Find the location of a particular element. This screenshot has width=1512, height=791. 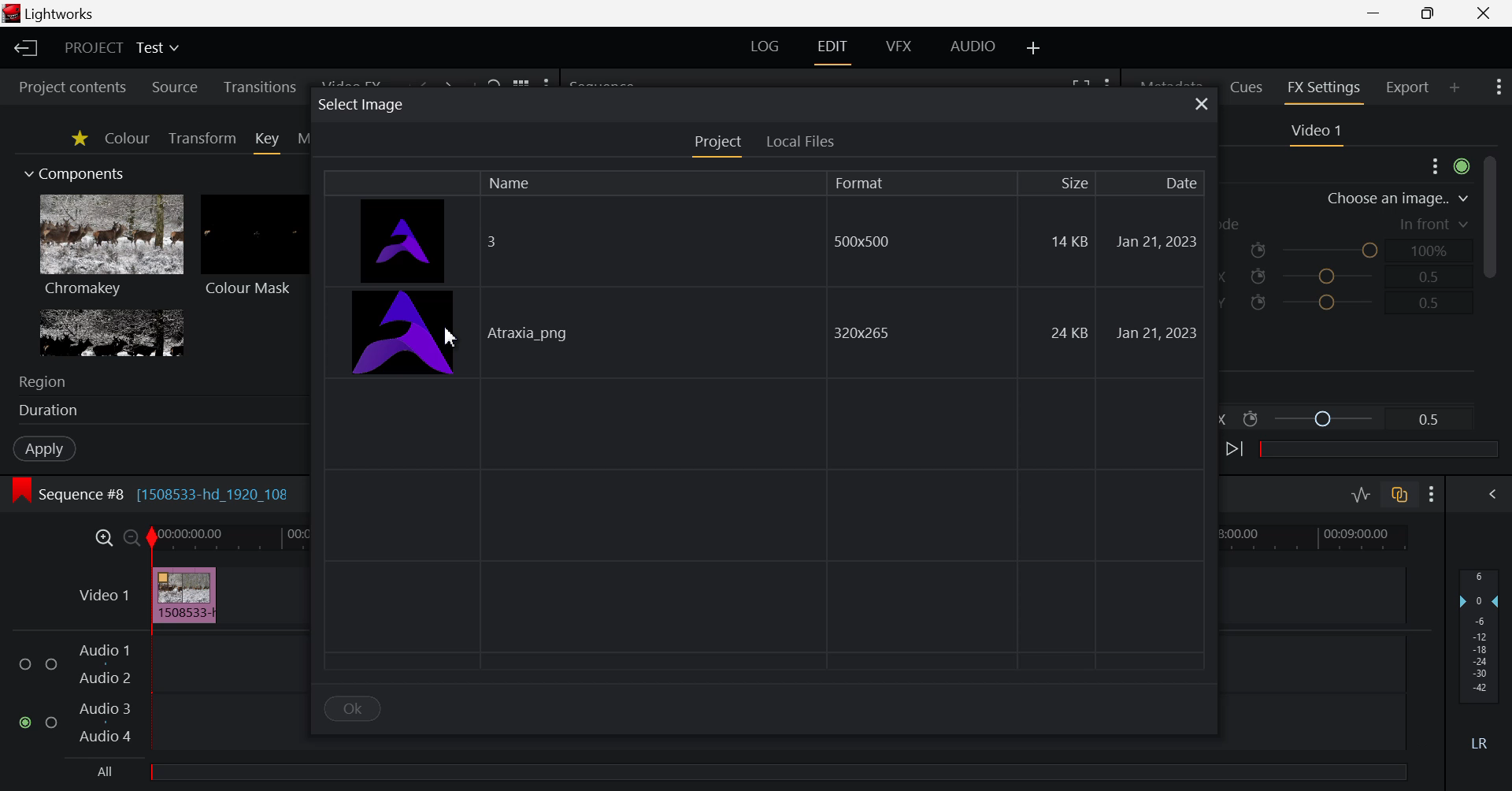

3 is located at coordinates (490, 241).